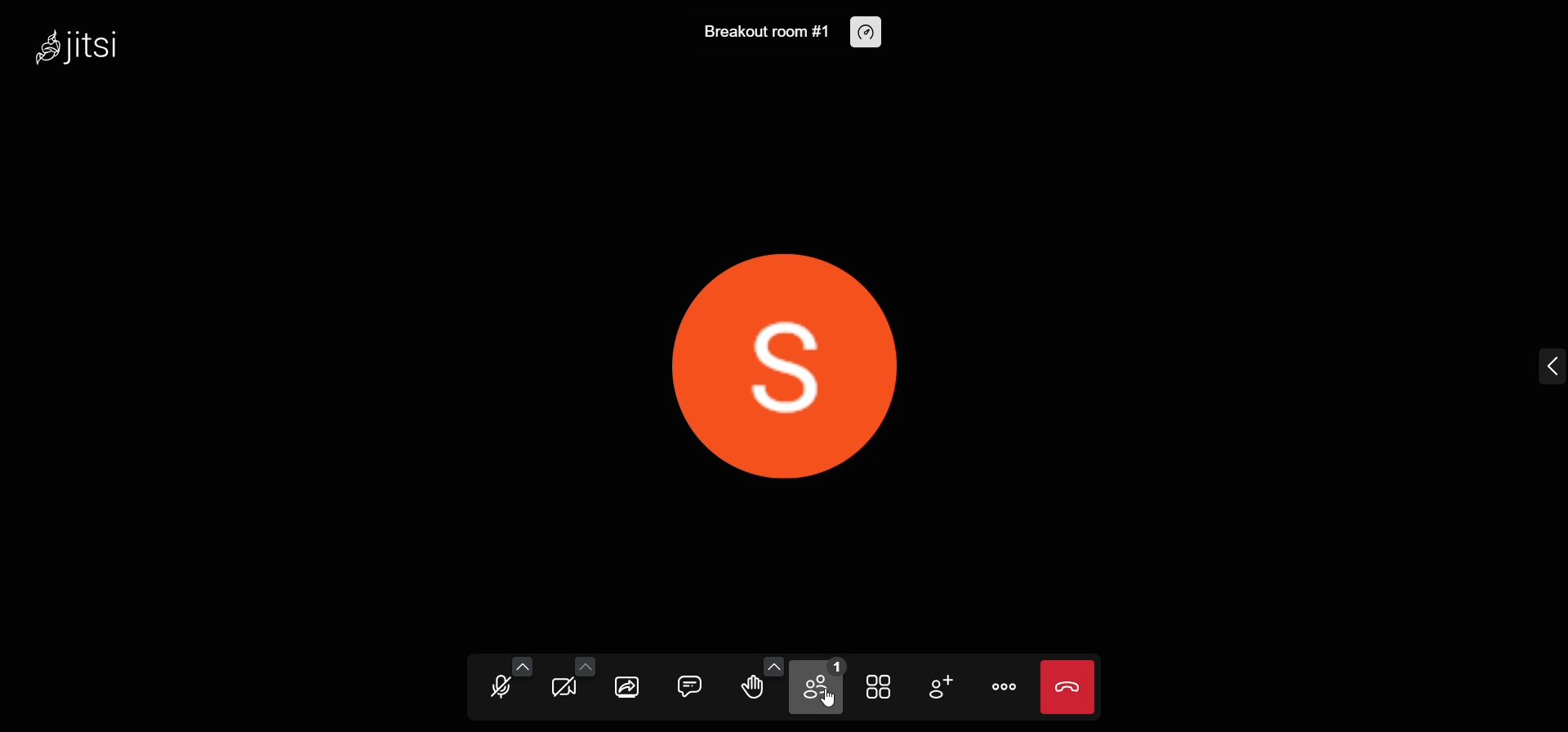 This screenshot has height=732, width=1568. Describe the element at coordinates (775, 667) in the screenshot. I see `more emoji` at that location.